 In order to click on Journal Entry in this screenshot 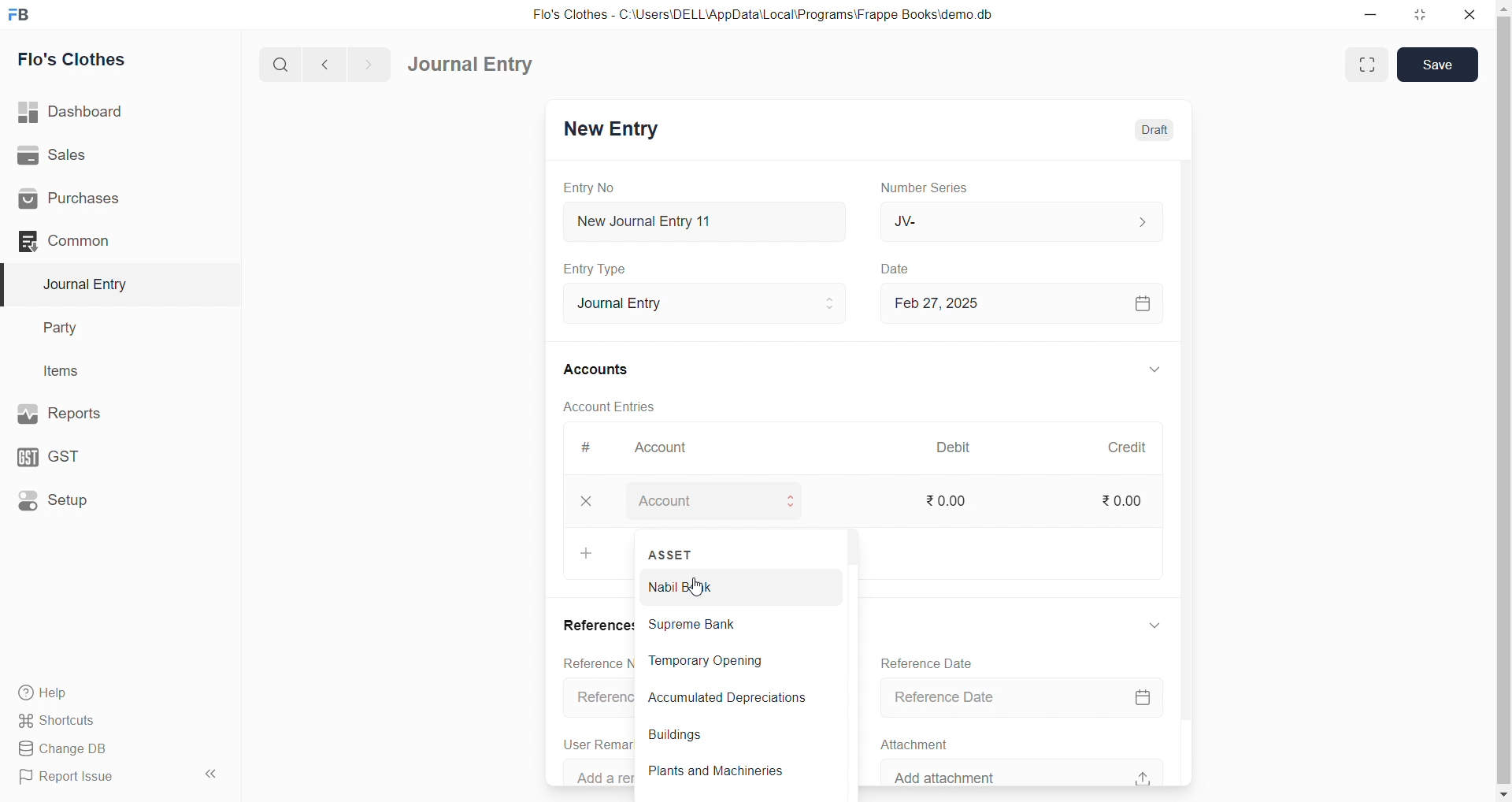, I will do `click(90, 284)`.